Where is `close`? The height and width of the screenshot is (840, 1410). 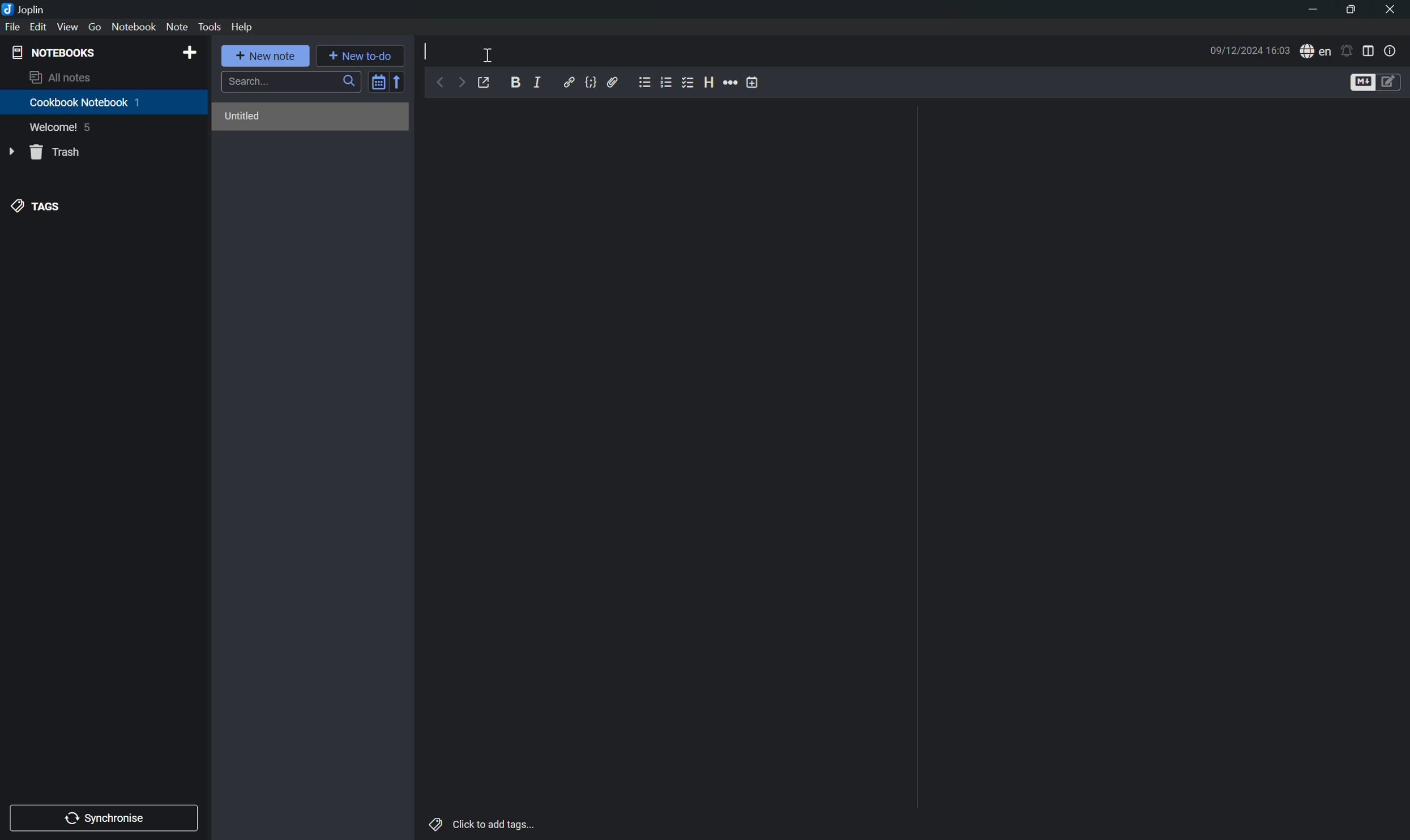
close is located at coordinates (1390, 7).